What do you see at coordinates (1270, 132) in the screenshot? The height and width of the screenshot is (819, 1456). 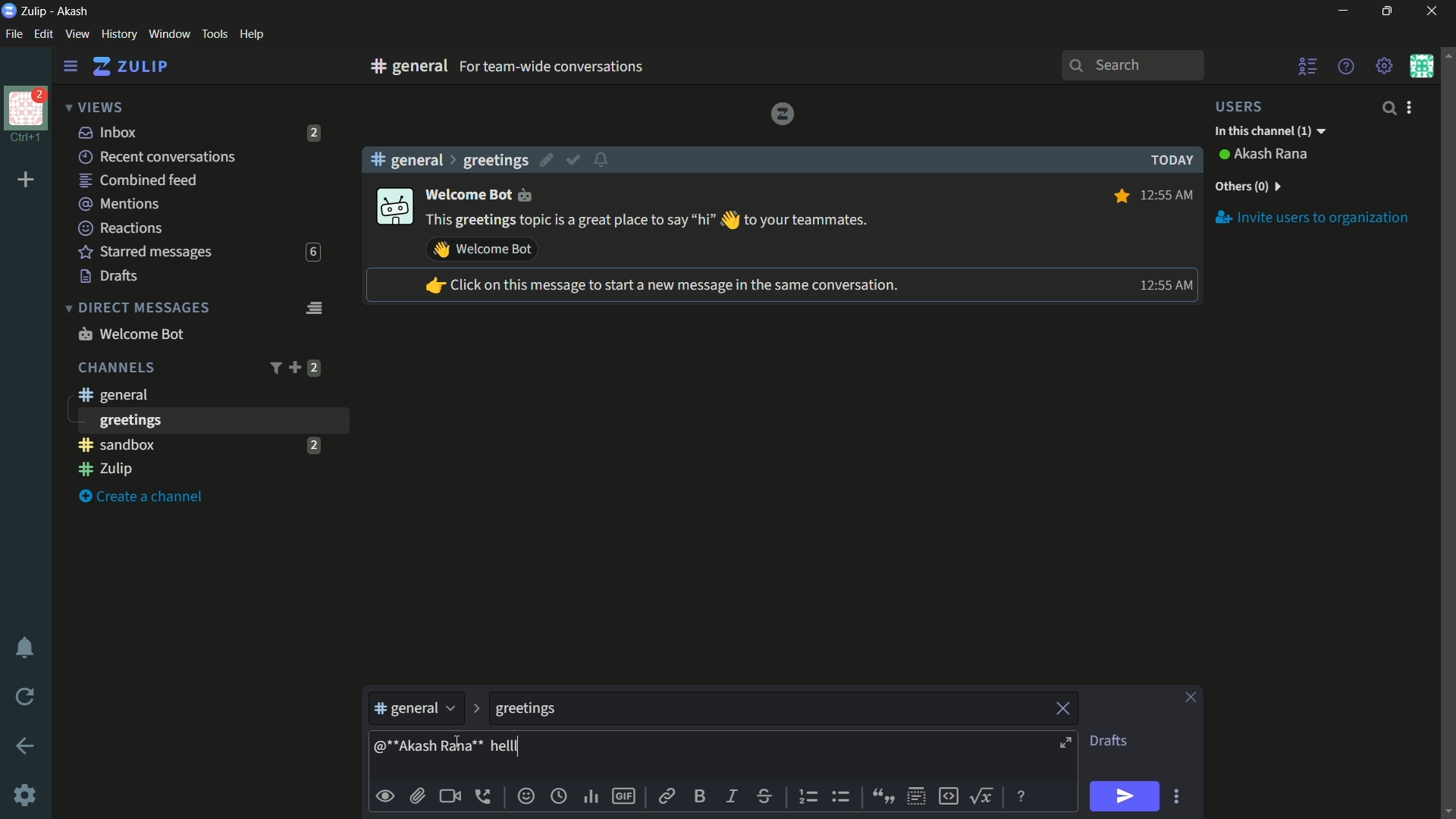 I see `in this channel` at bounding box center [1270, 132].